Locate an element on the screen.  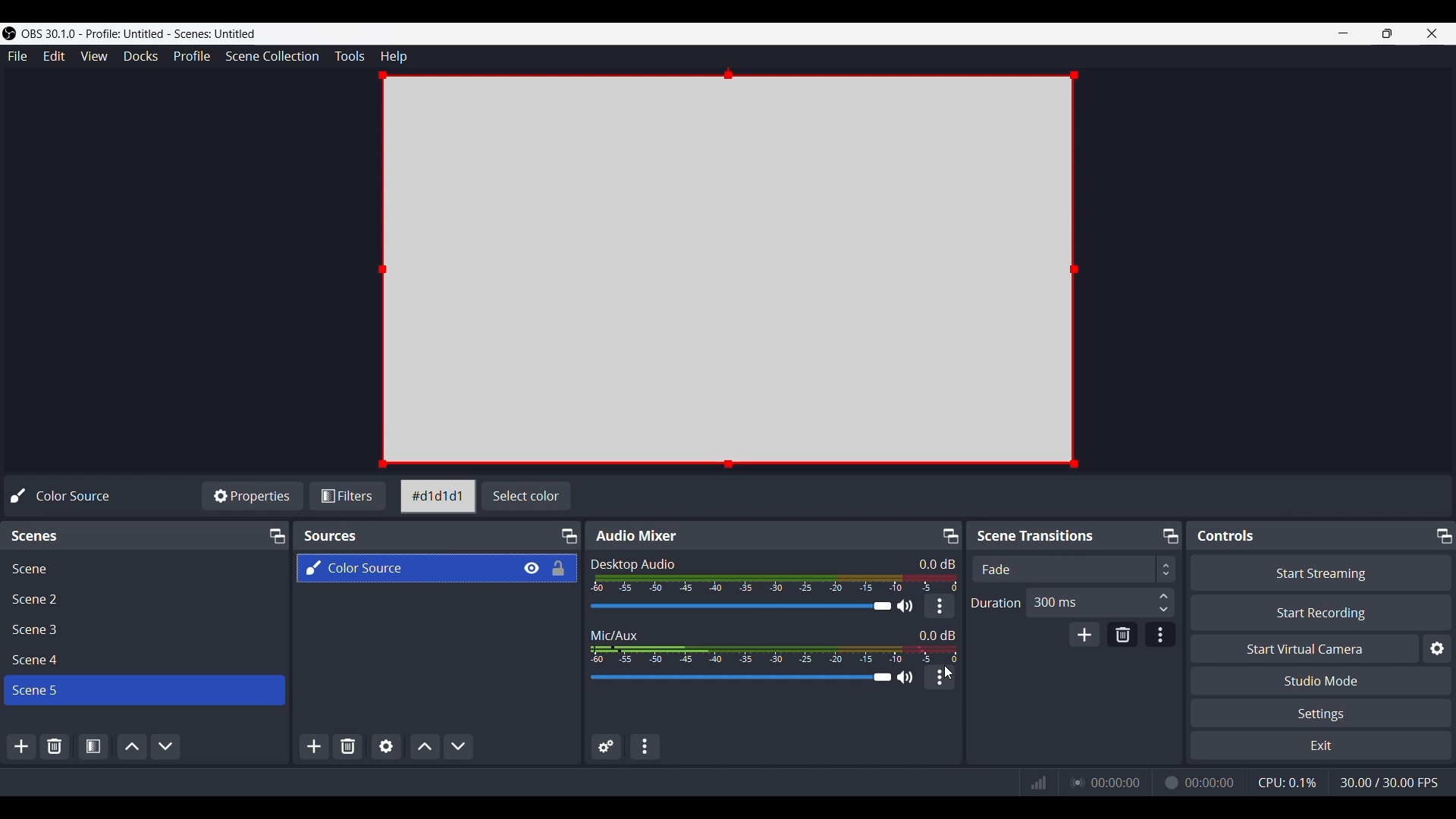
Audio Mixer Menu is located at coordinates (645, 746).